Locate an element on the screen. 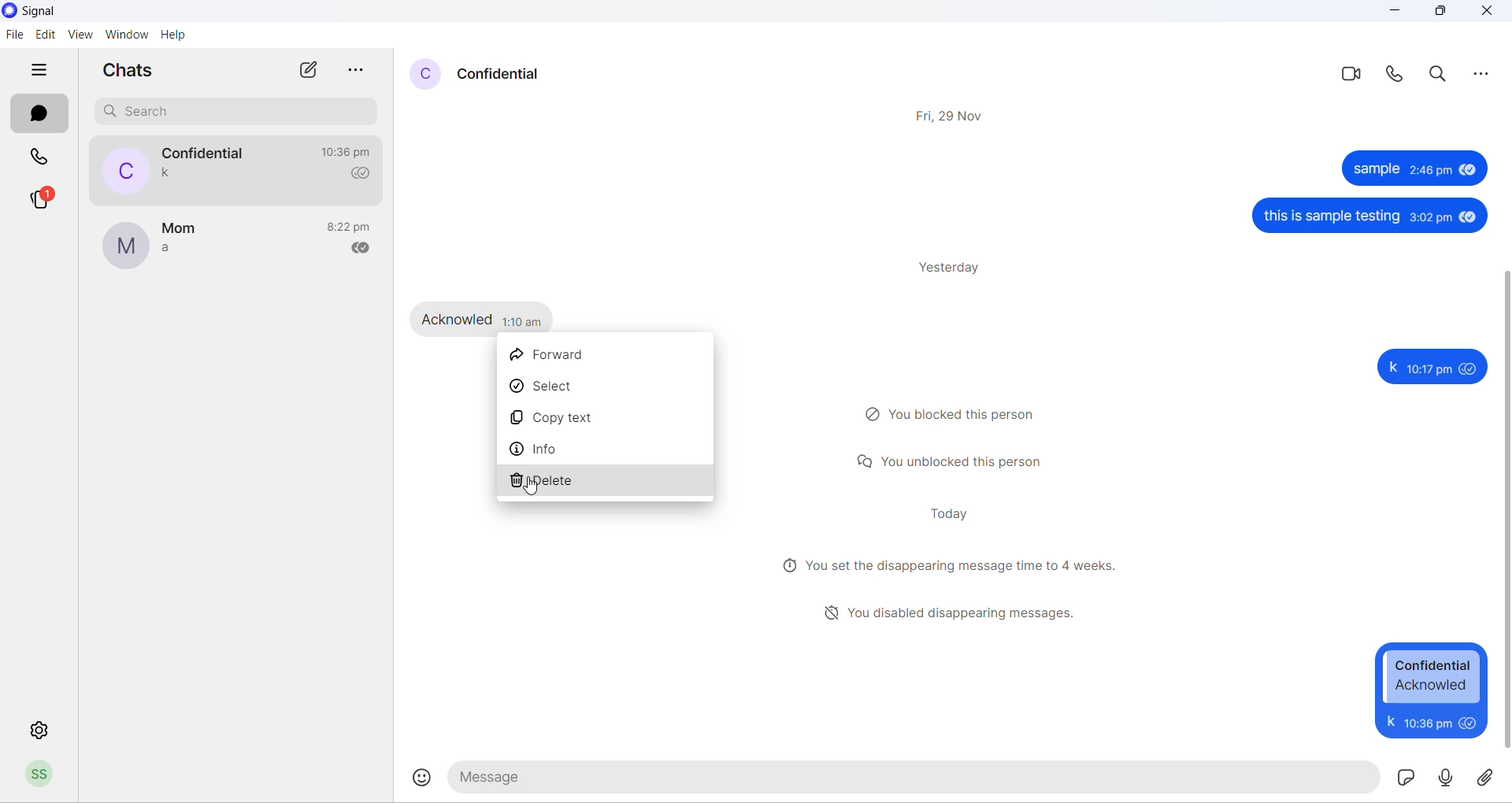 This screenshot has width=1512, height=803. info is located at coordinates (603, 449).